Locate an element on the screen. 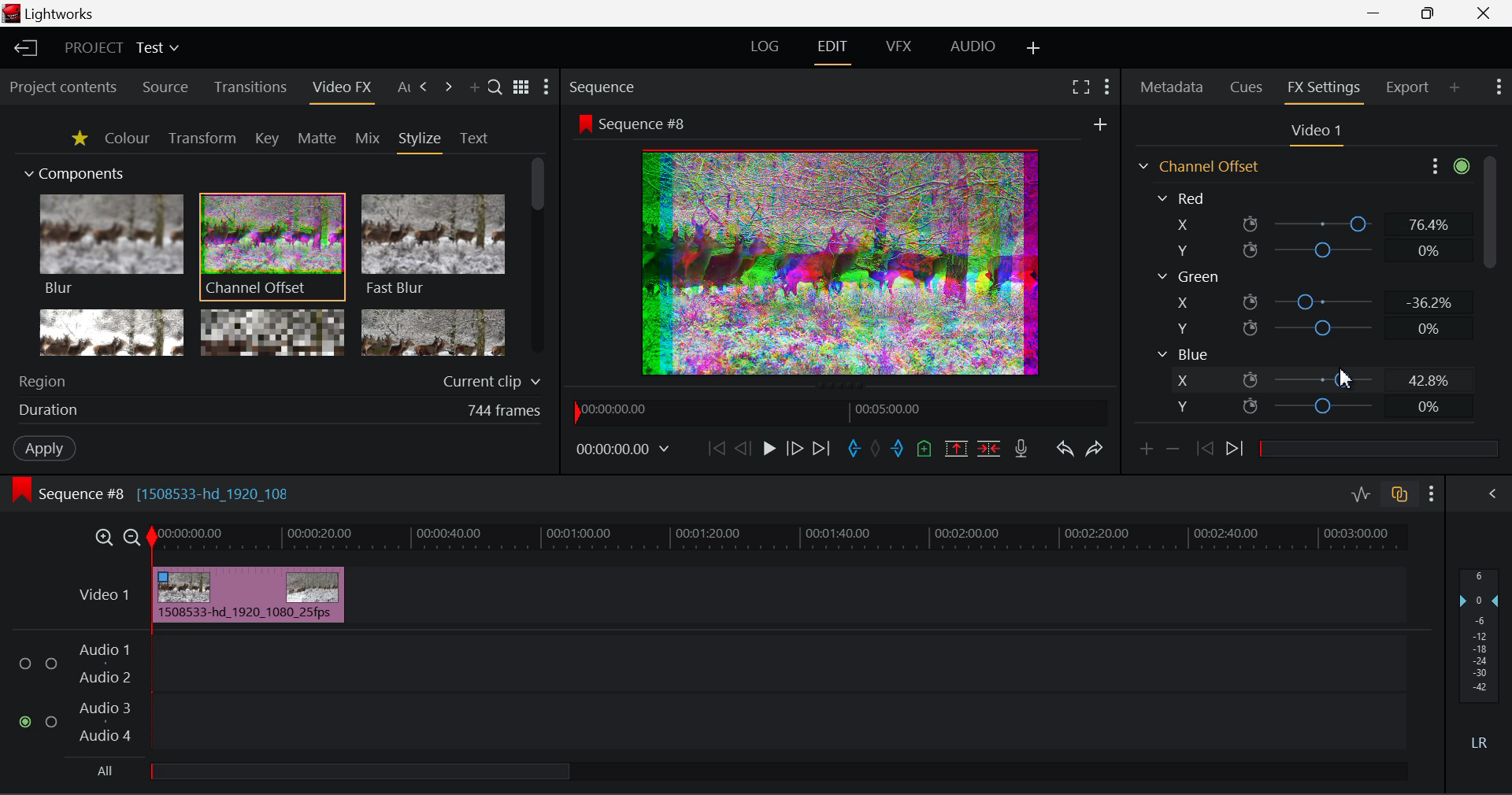 The height and width of the screenshot is (795, 1512). Frame Time is located at coordinates (623, 451).